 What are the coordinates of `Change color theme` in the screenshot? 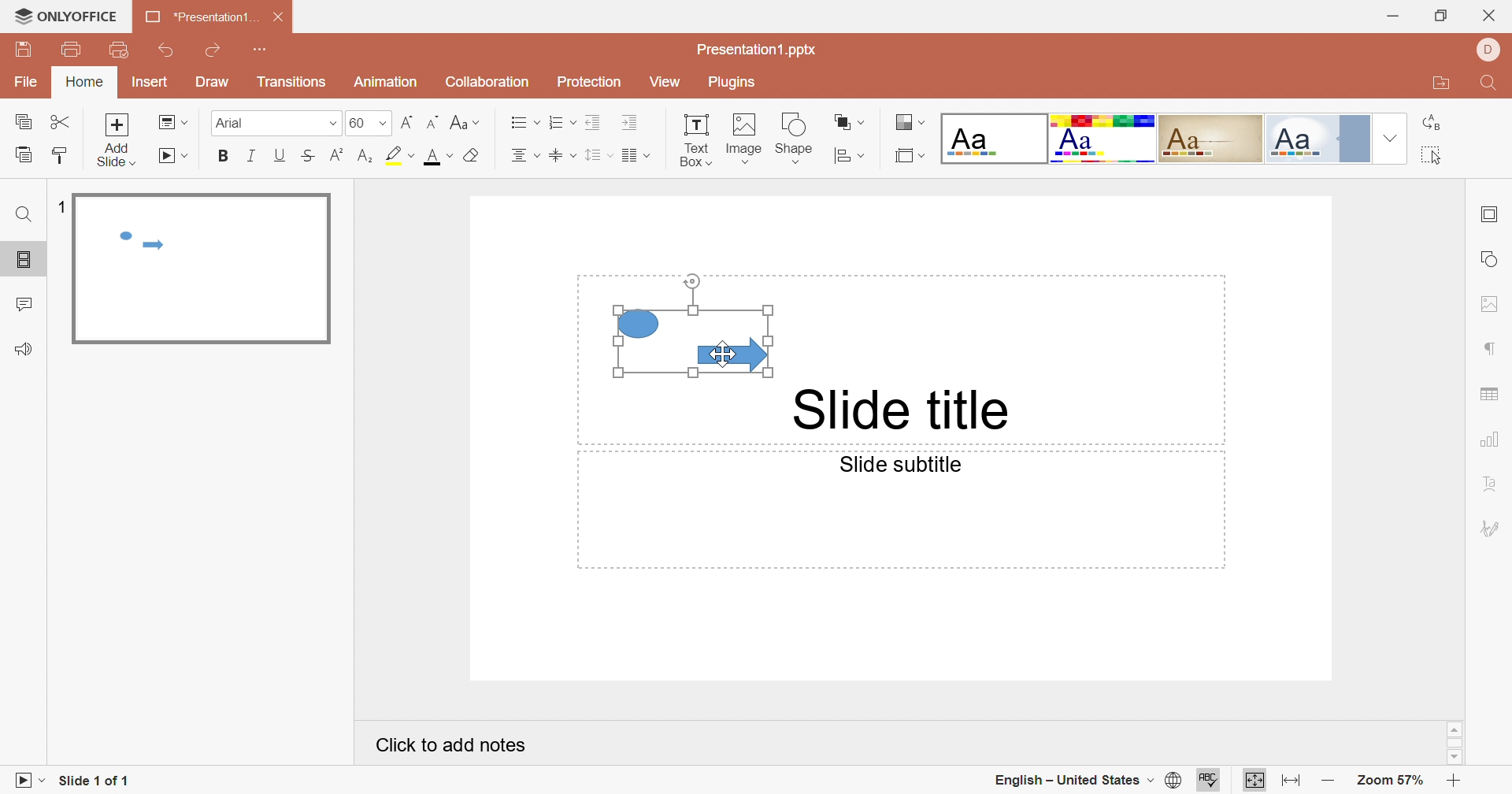 It's located at (911, 121).